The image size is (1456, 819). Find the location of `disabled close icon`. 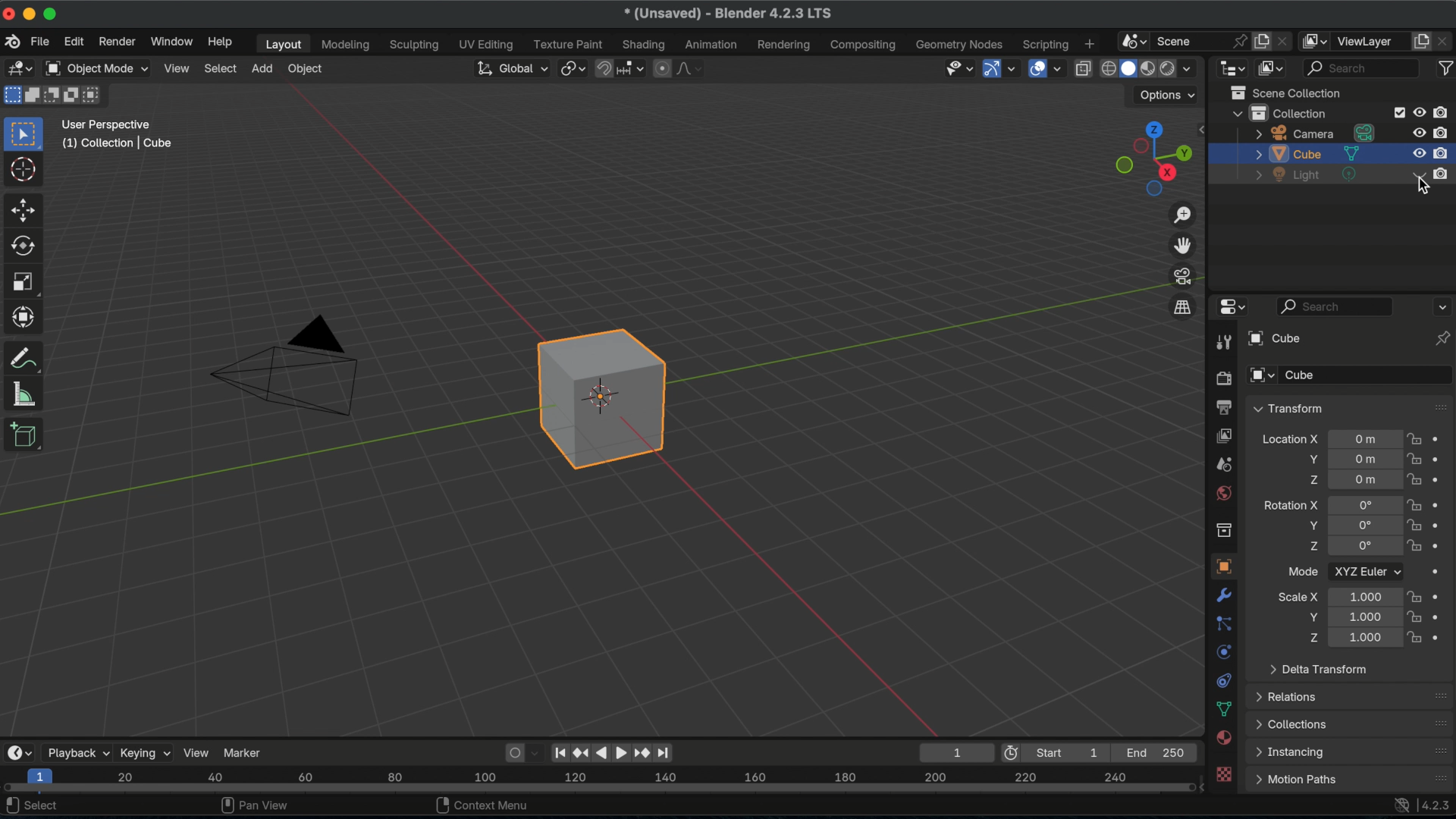

disabled close icon is located at coordinates (10, 14).